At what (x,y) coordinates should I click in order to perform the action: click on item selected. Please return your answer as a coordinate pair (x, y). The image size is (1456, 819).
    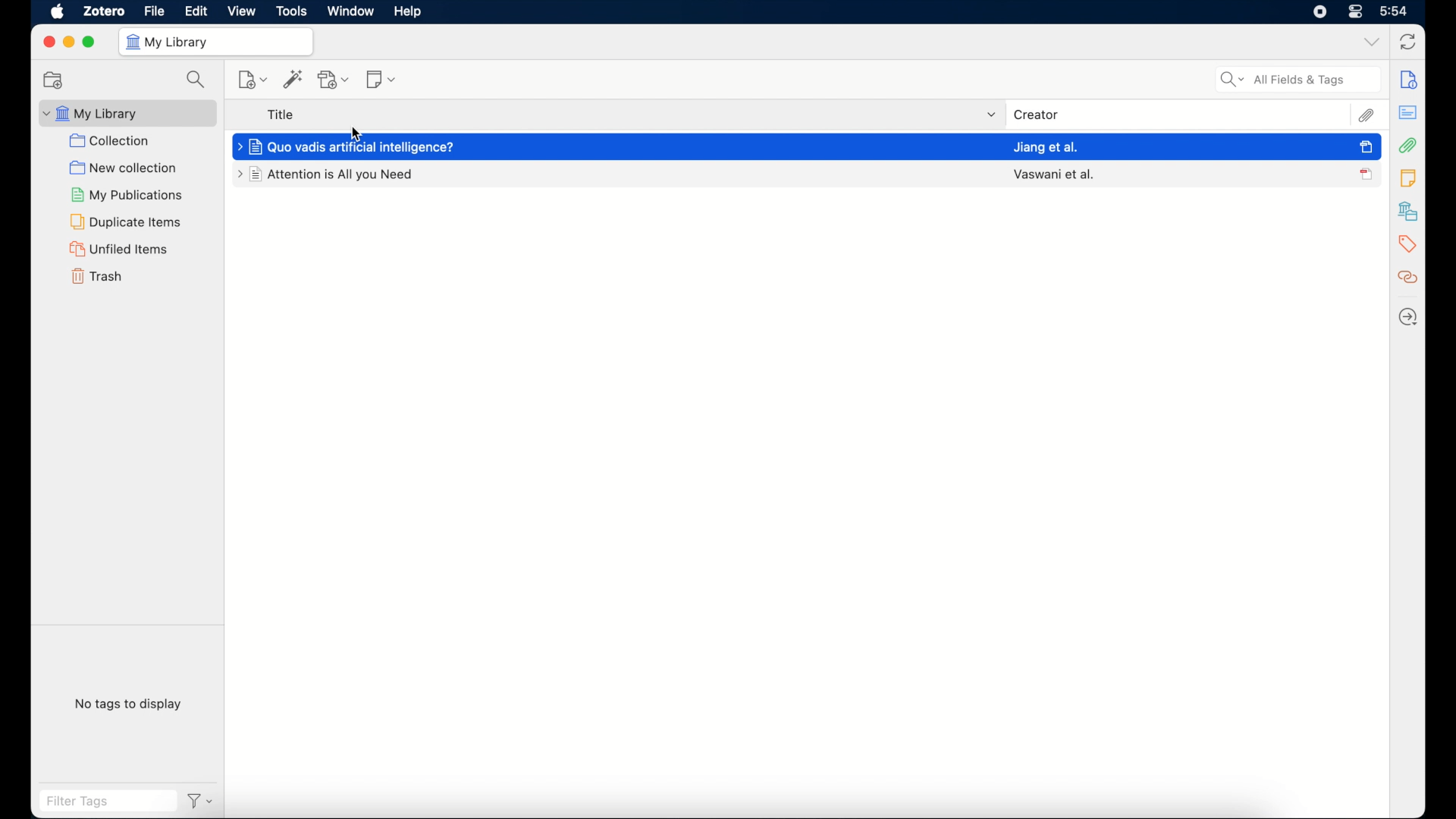
    Looking at the image, I should click on (1365, 147).